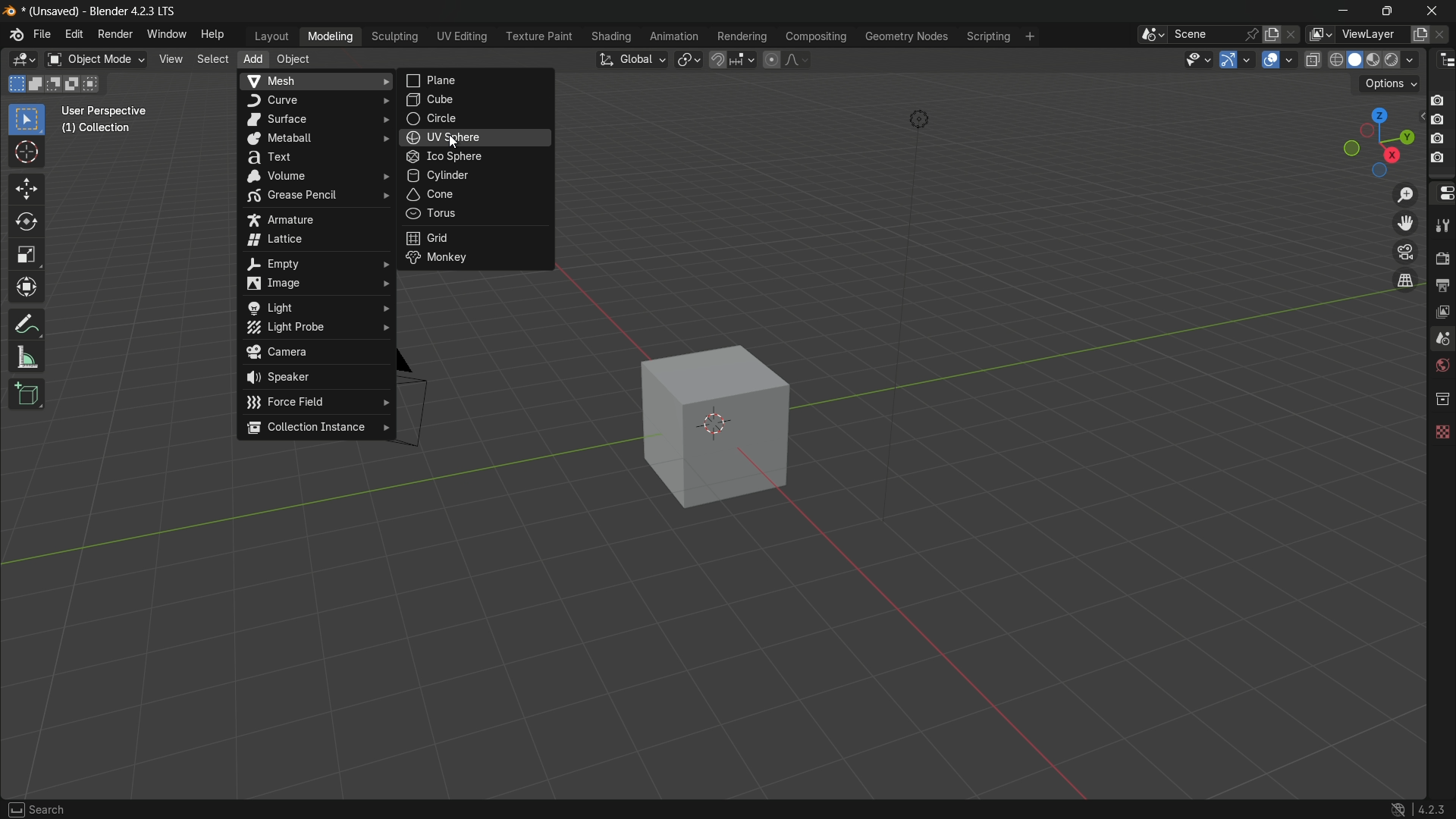 The width and height of the screenshot is (1456, 819). I want to click on add workplace, so click(1029, 36).